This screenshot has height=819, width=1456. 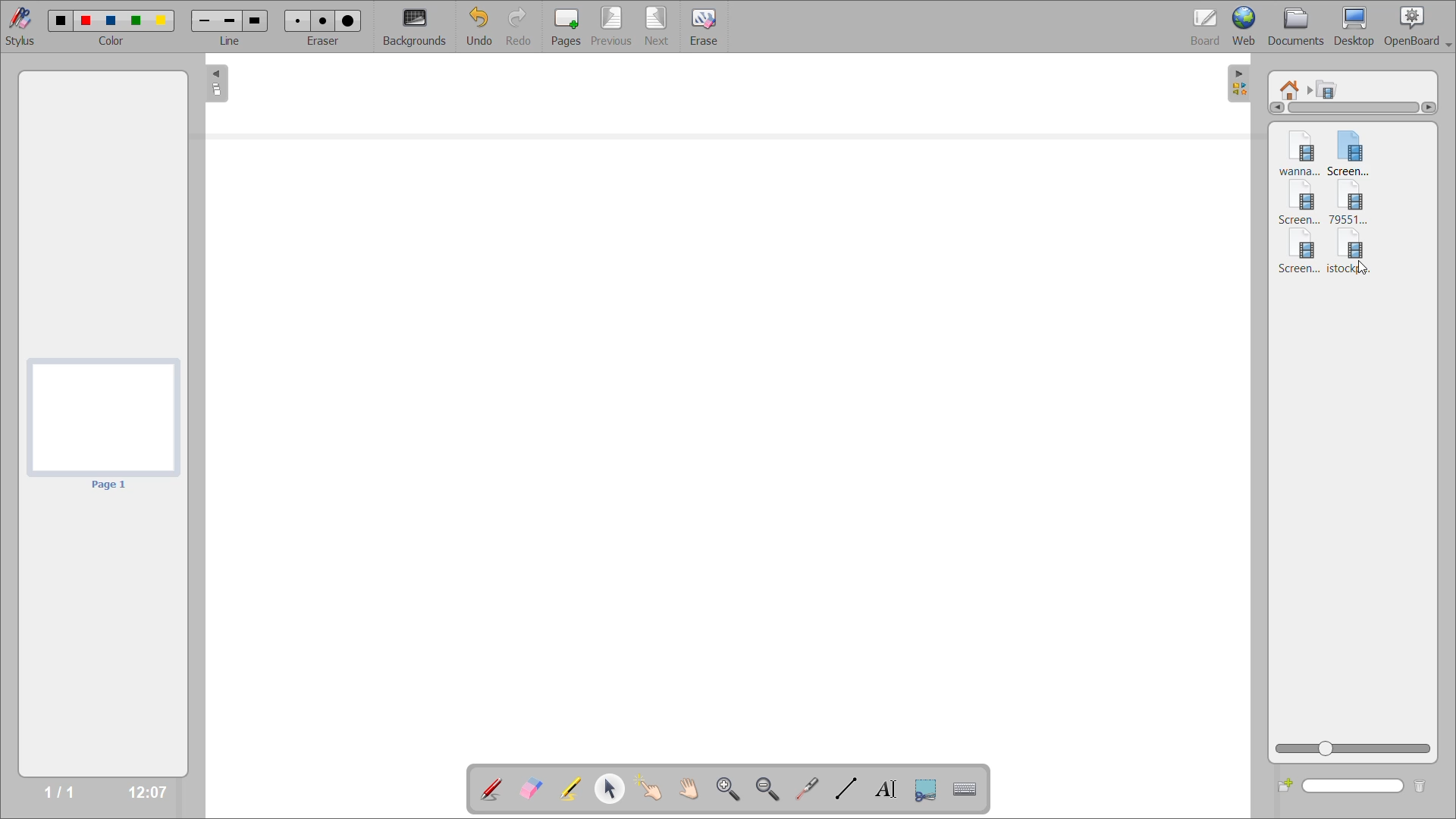 I want to click on virtual keyboard, so click(x=970, y=791).